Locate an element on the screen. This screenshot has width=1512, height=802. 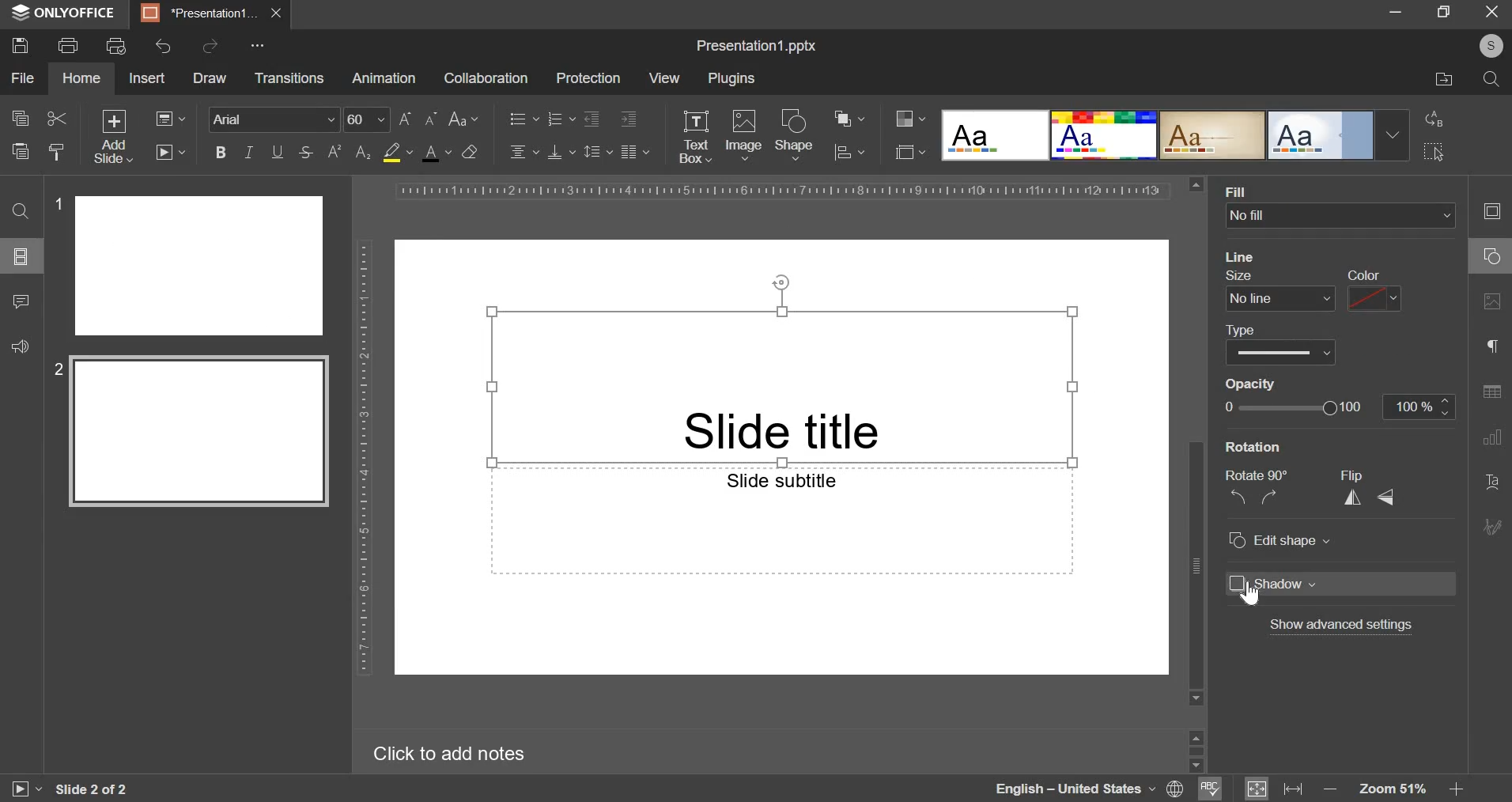
image settings is located at coordinates (1495, 302).